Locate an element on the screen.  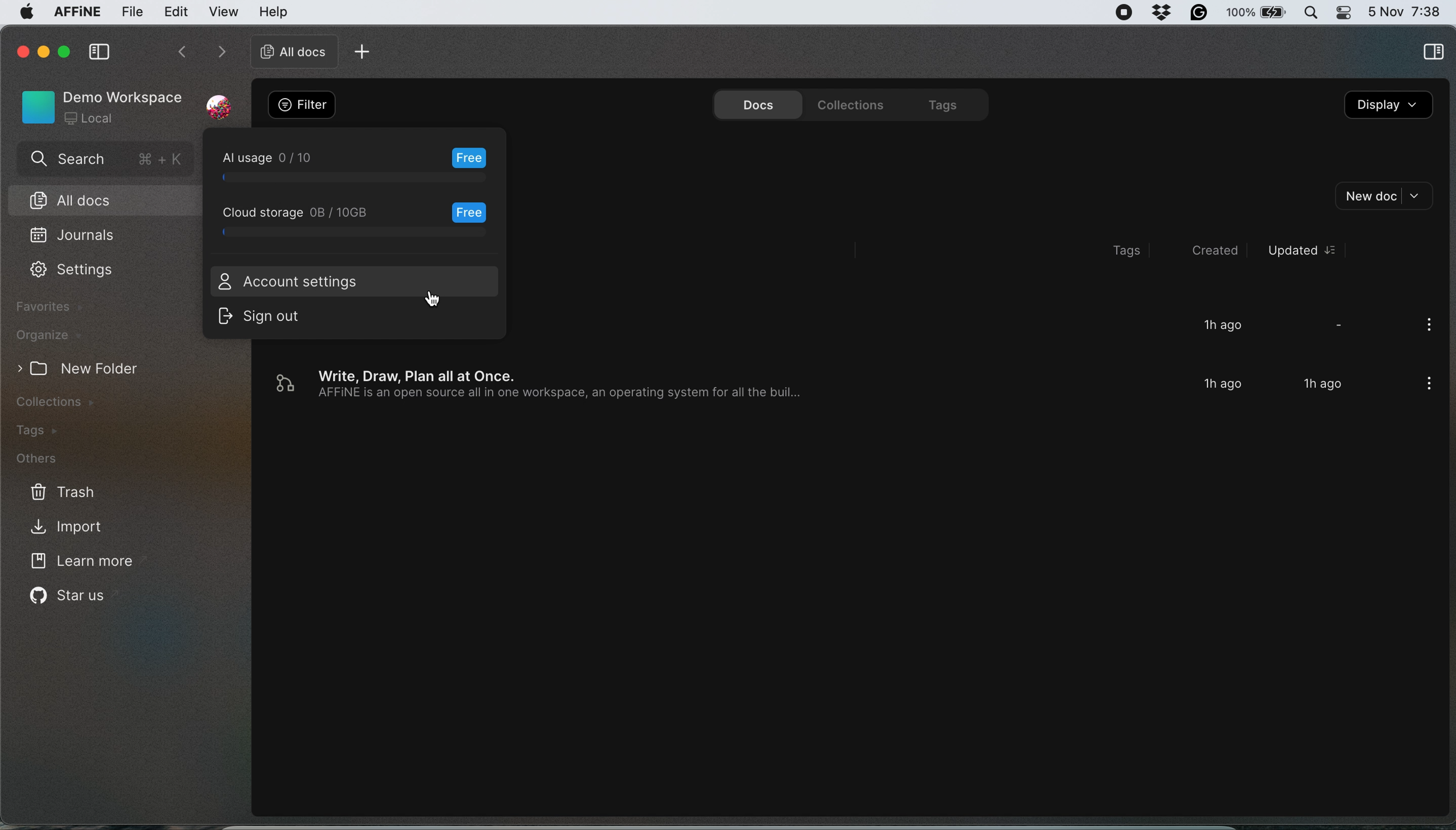
maximise is located at coordinates (66, 51).